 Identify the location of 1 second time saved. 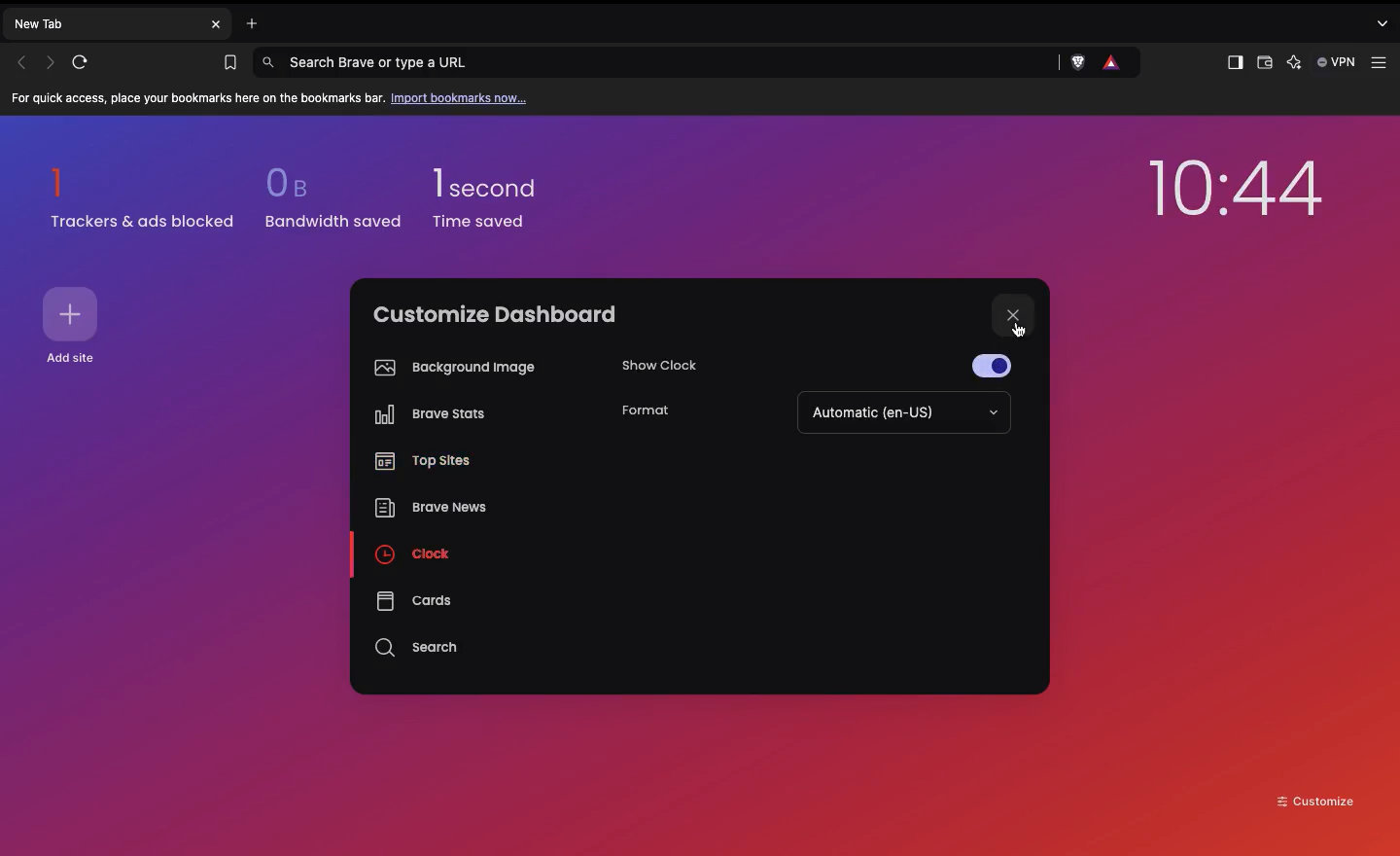
(497, 190).